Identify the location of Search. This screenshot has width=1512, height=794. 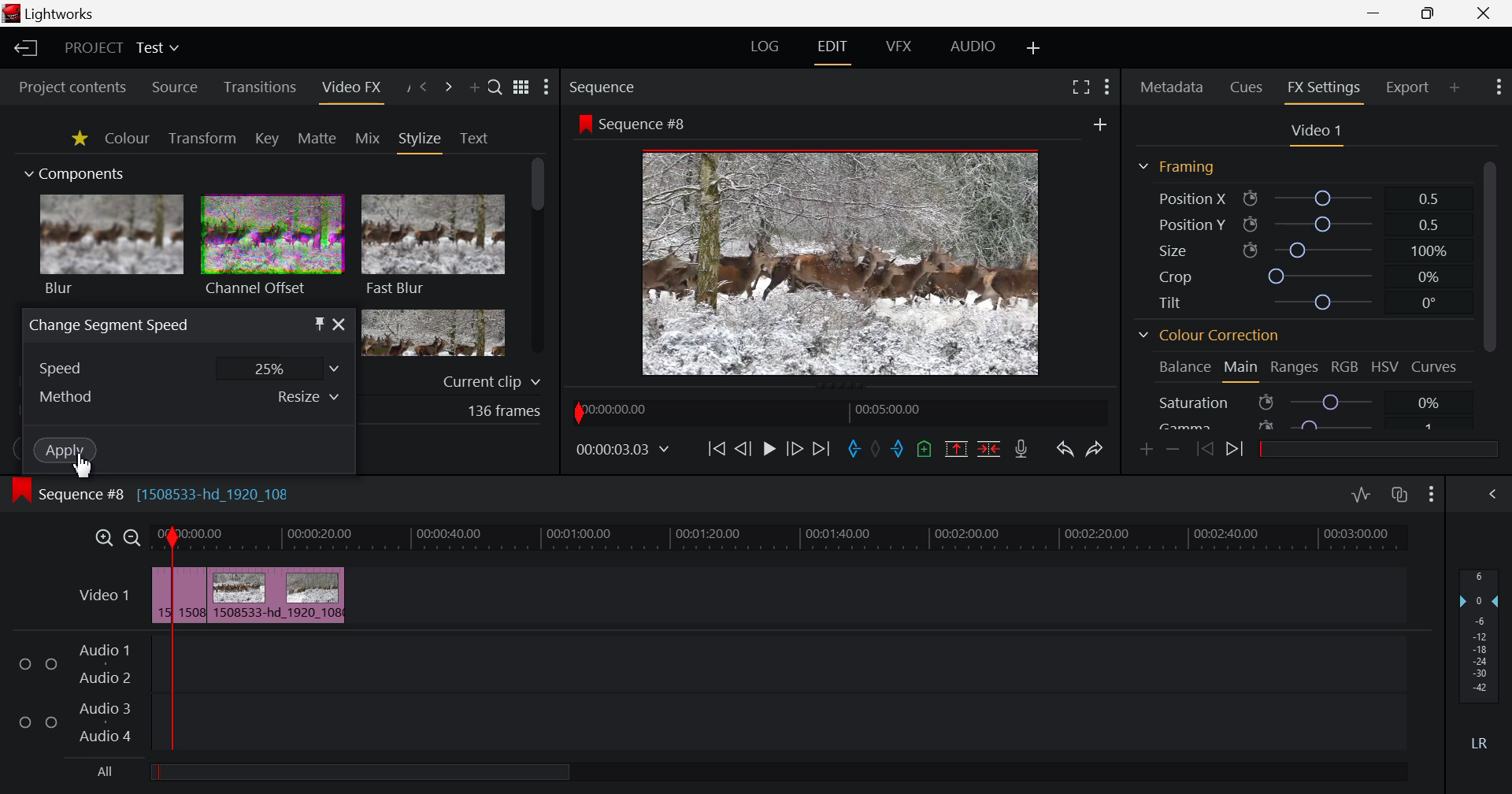
(496, 88).